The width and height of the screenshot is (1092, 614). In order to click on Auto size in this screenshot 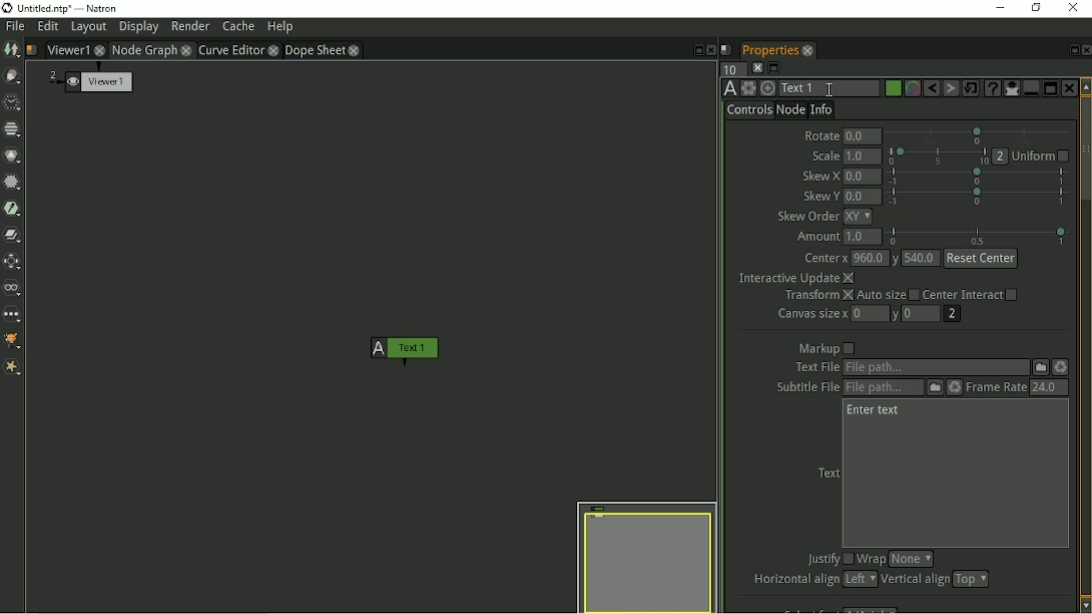, I will do `click(888, 296)`.